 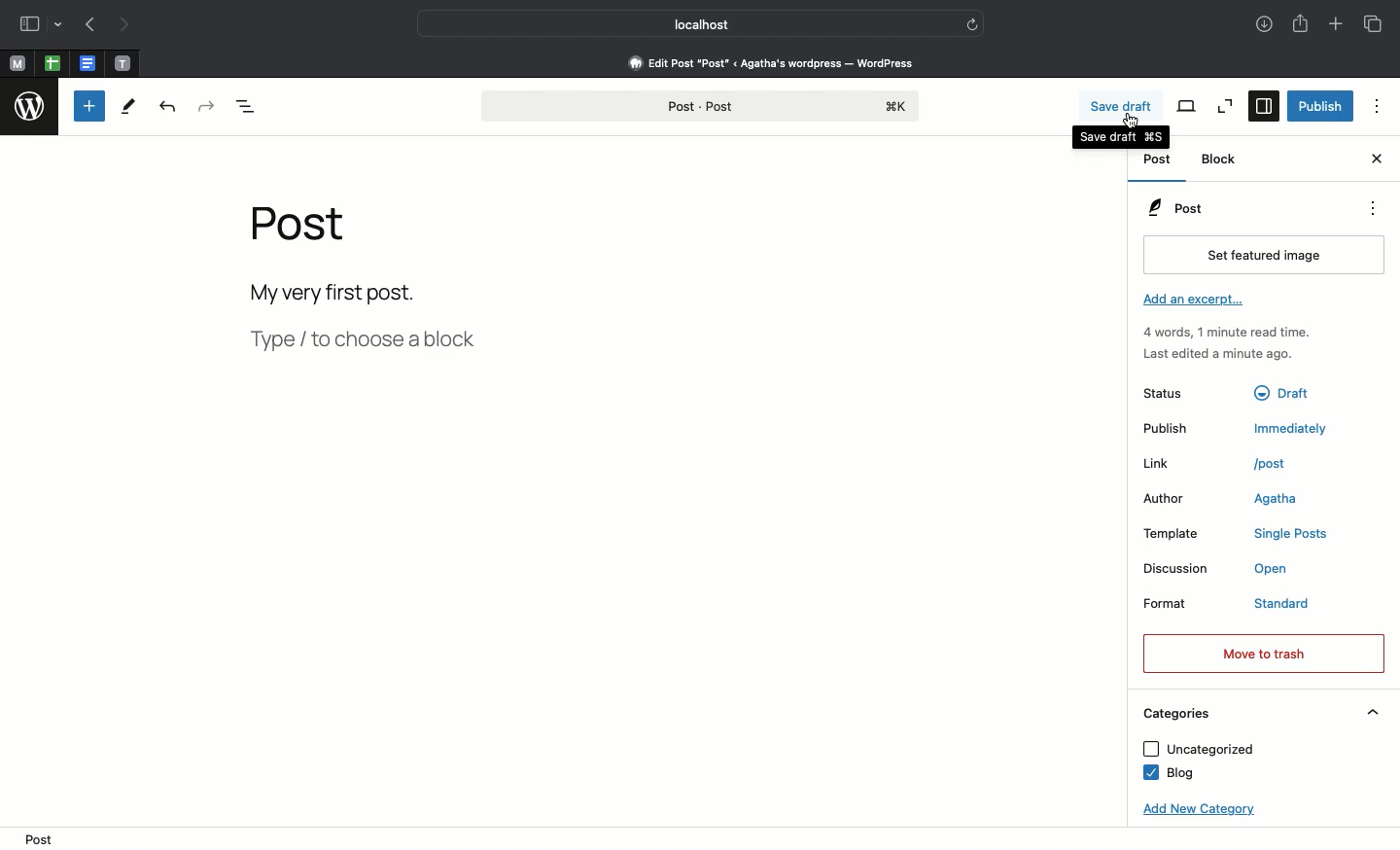 What do you see at coordinates (1281, 571) in the screenshot?
I see `Open` at bounding box center [1281, 571].